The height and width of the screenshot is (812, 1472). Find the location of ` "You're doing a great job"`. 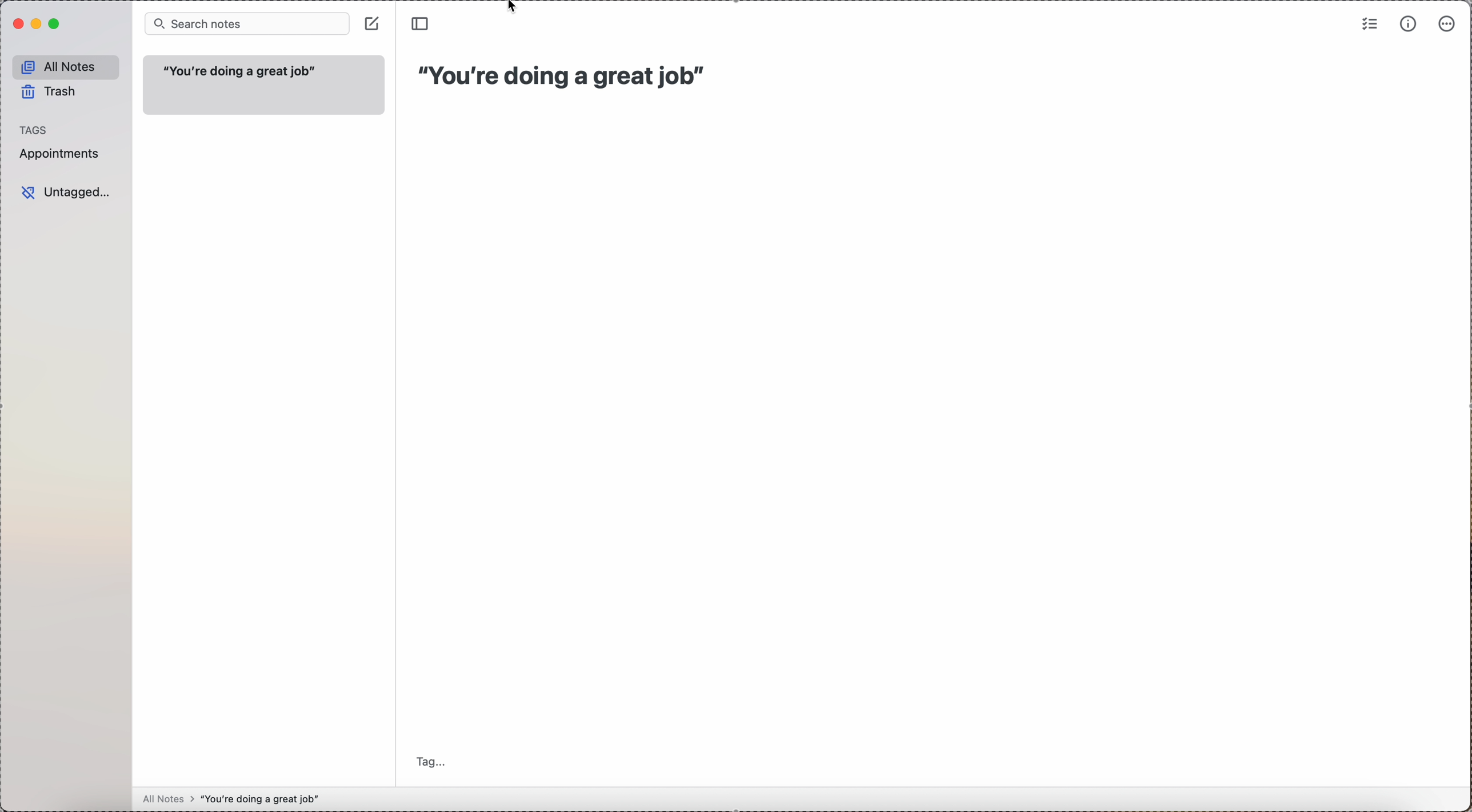

 "You're doing a great job" is located at coordinates (567, 76).